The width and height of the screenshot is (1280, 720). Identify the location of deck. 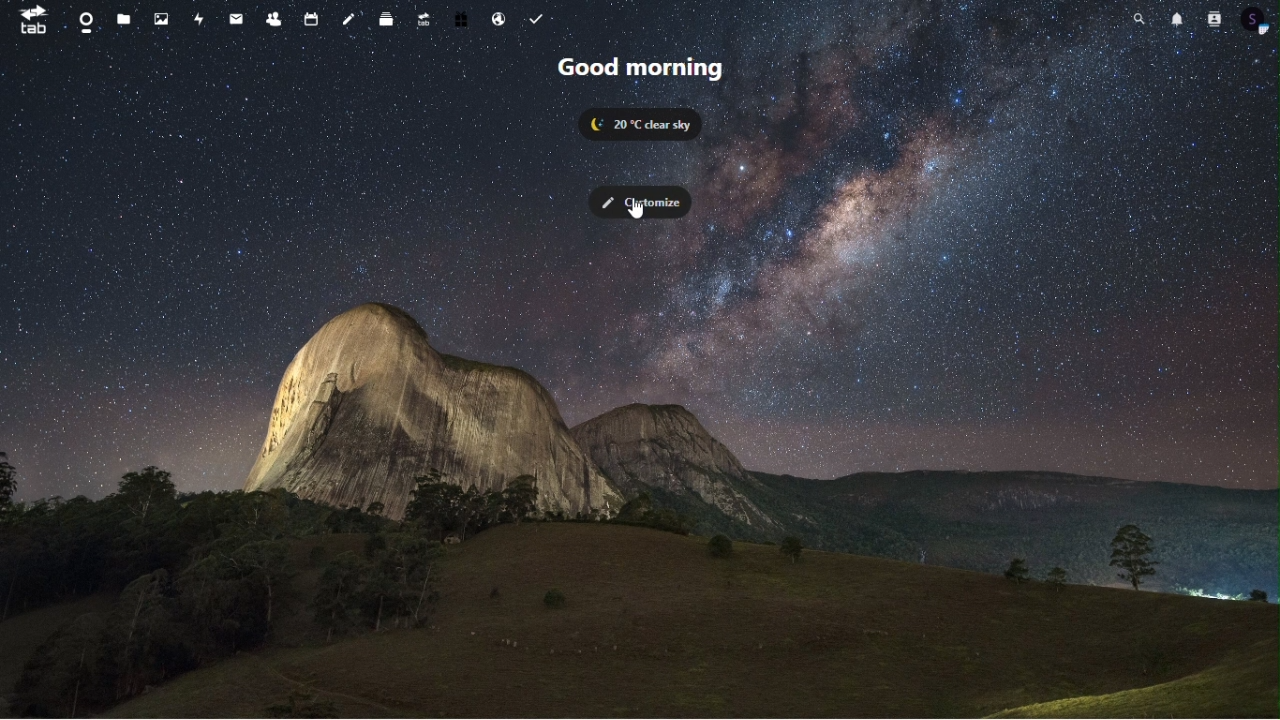
(384, 21).